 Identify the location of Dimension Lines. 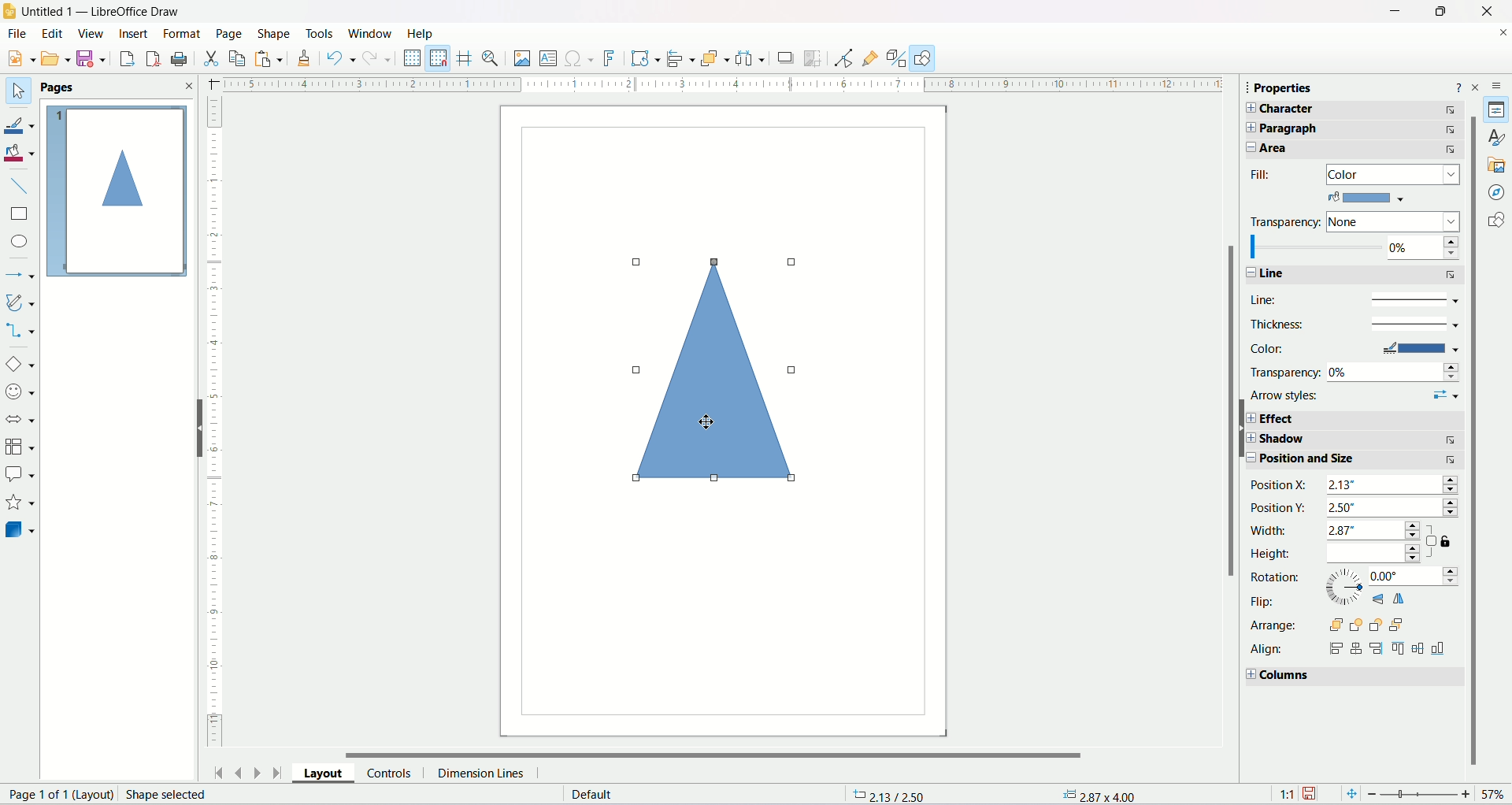
(481, 775).